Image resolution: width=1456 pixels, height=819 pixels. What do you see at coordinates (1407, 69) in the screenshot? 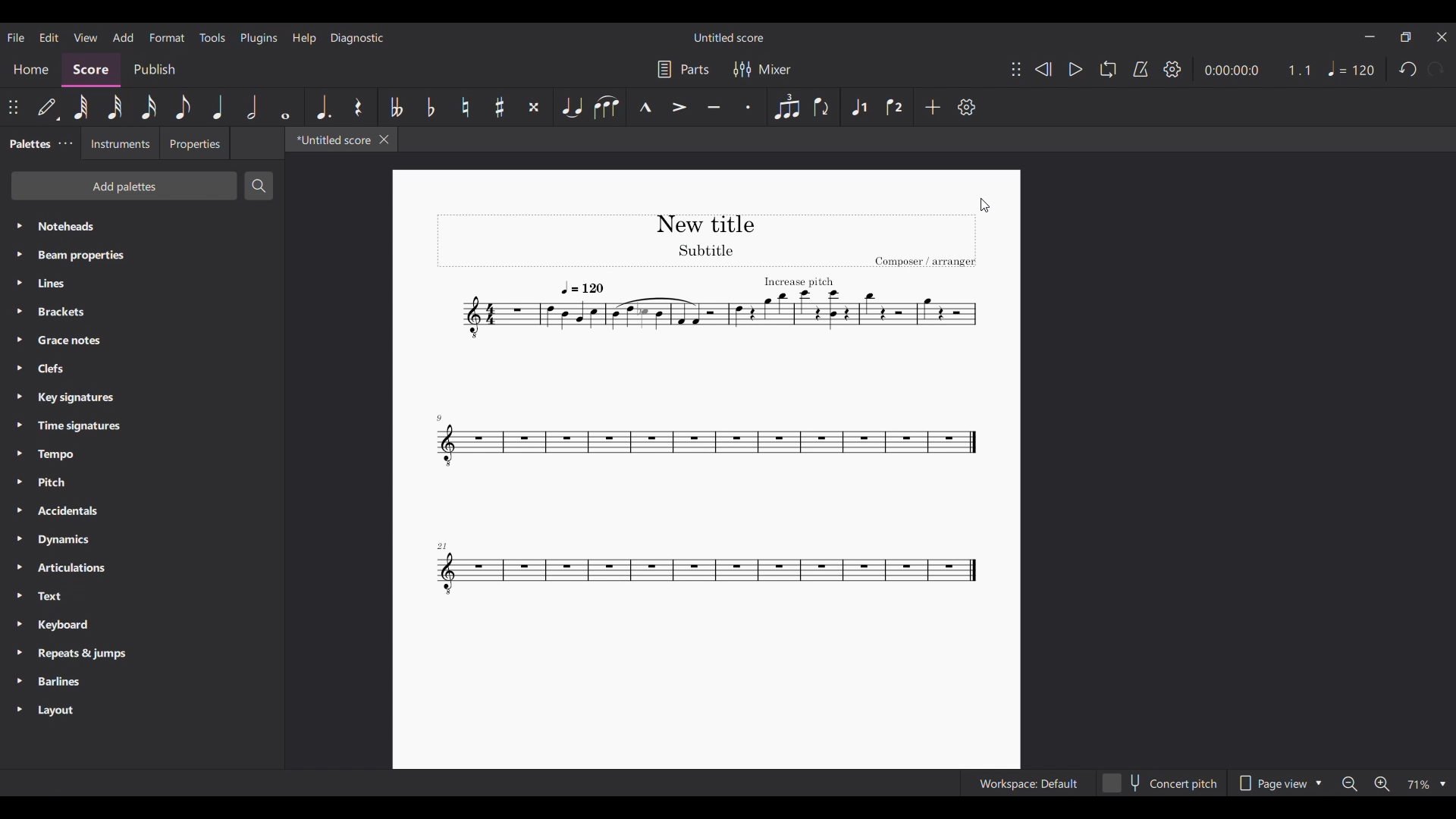
I see `Undo` at bounding box center [1407, 69].